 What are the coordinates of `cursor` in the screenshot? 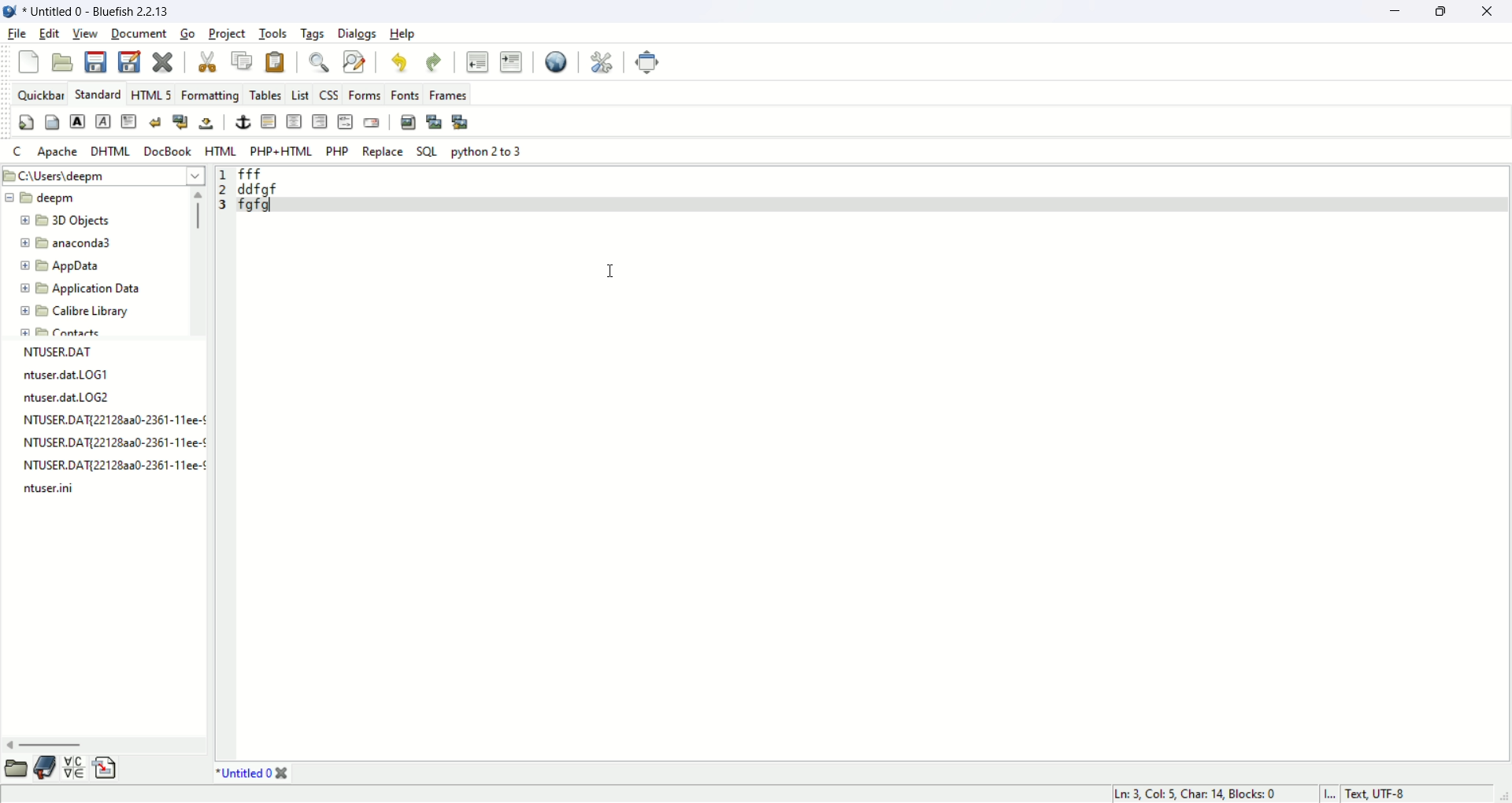 It's located at (611, 273).